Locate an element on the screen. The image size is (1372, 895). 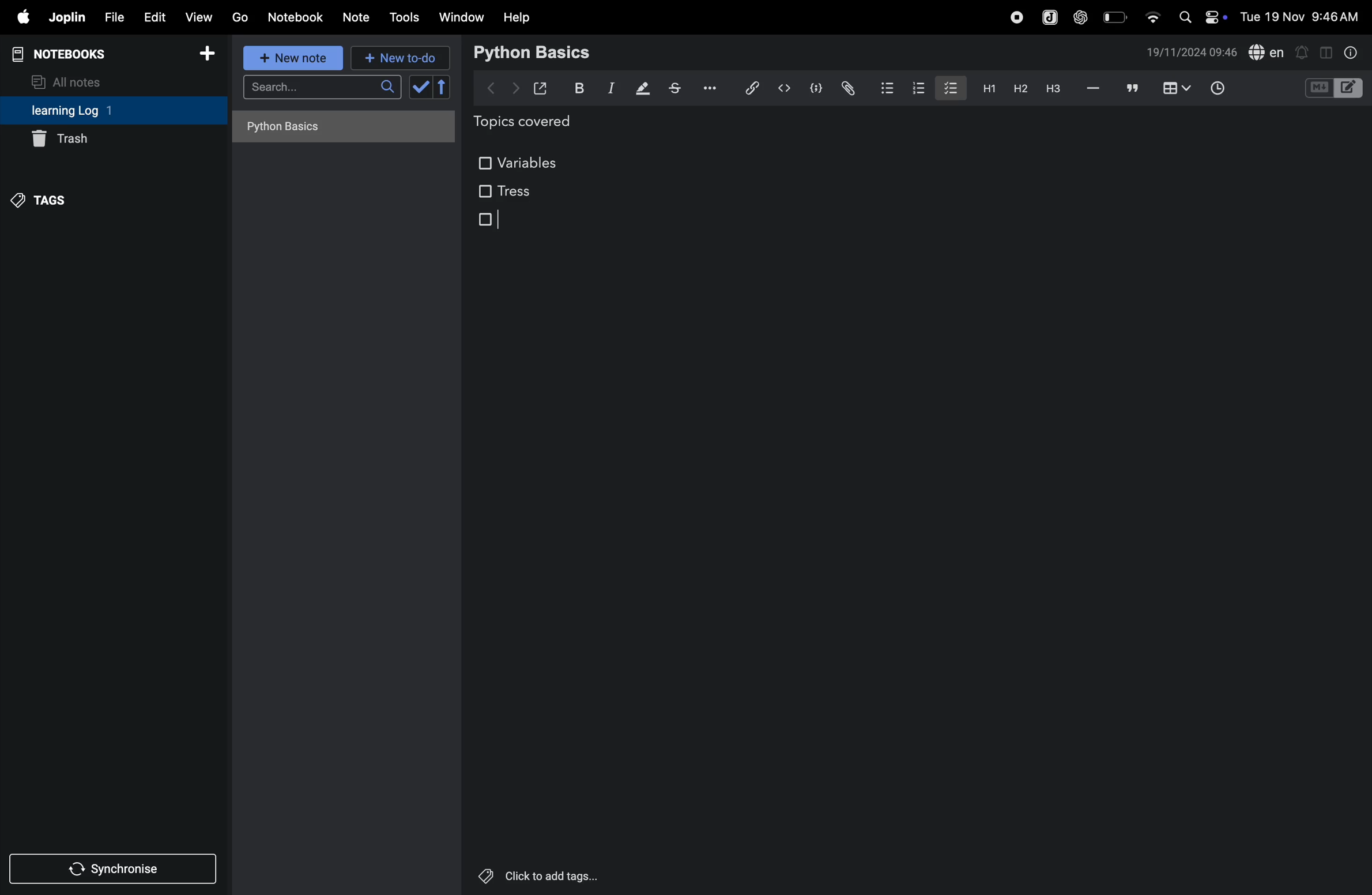
topics covered is located at coordinates (536, 123).